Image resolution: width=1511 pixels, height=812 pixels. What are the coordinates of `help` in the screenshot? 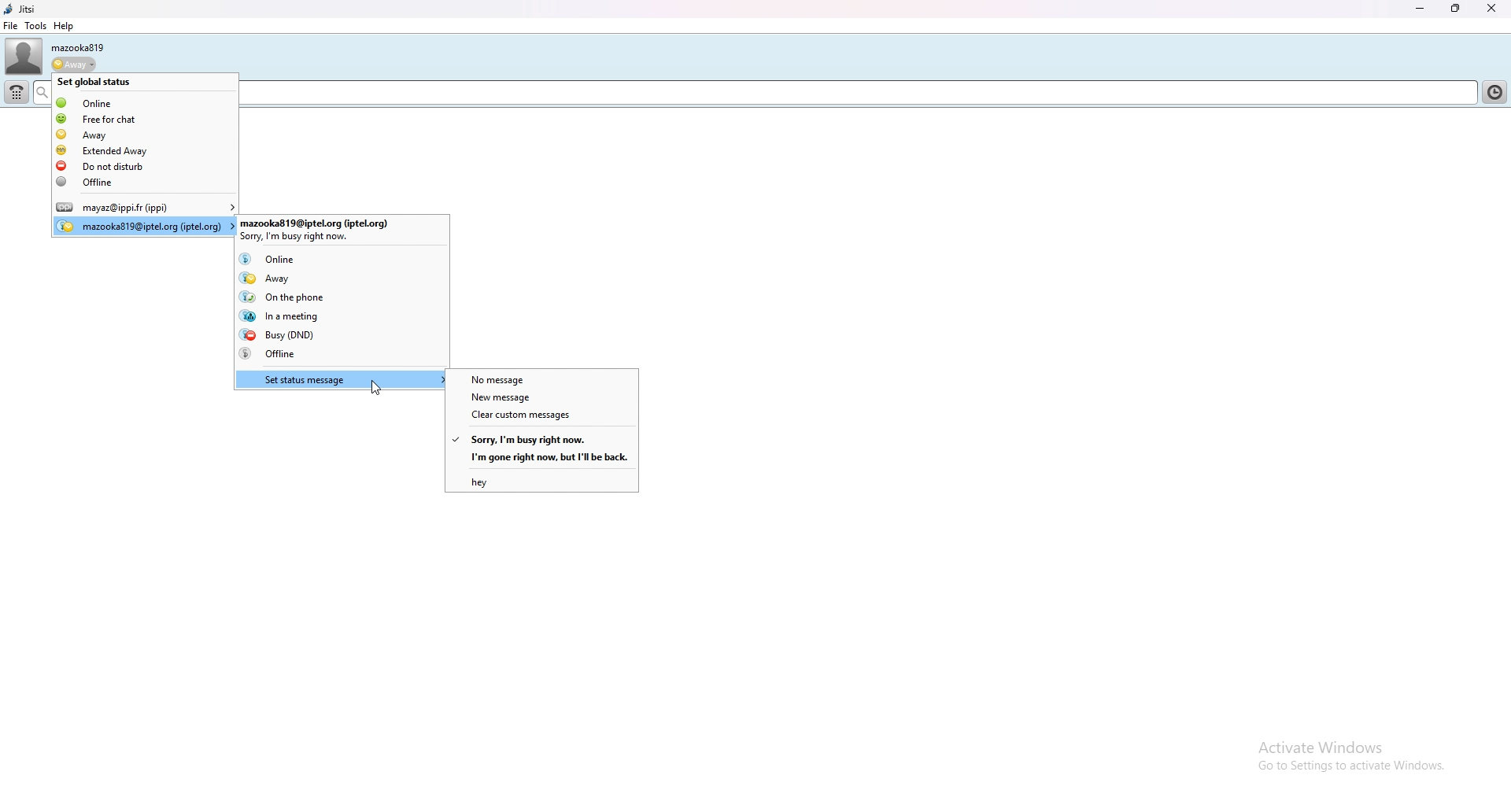 It's located at (63, 26).